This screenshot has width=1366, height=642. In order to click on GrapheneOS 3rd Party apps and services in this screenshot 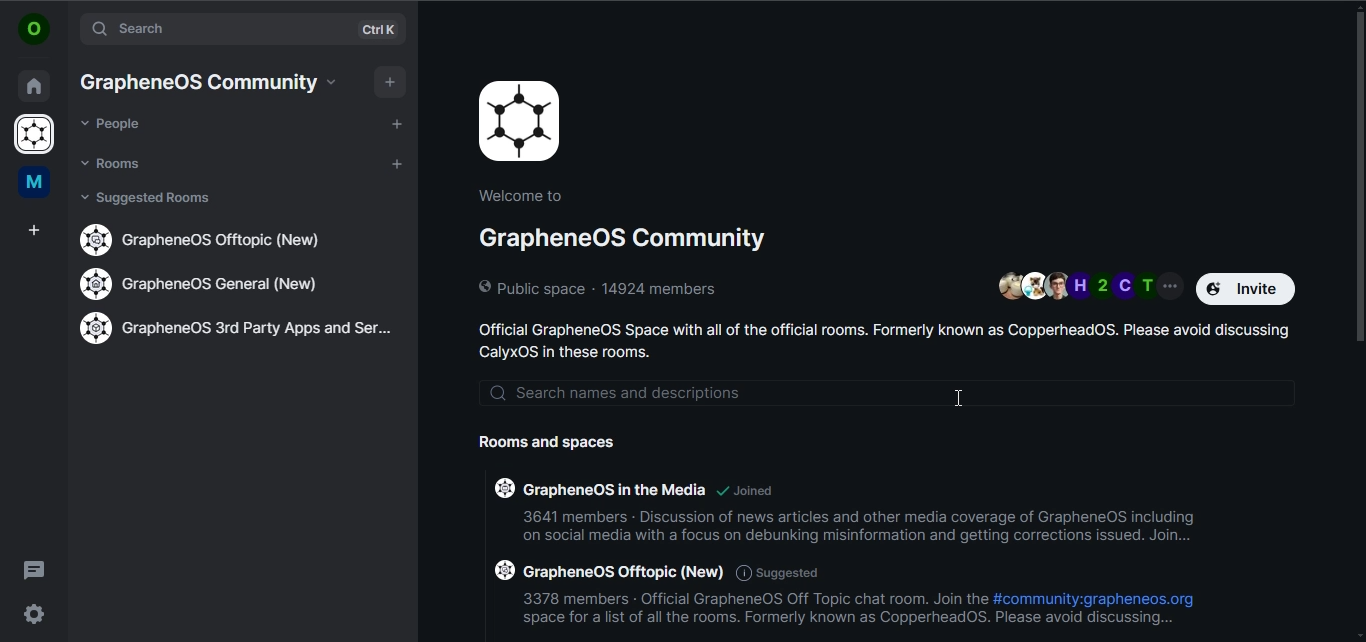, I will do `click(236, 328)`.